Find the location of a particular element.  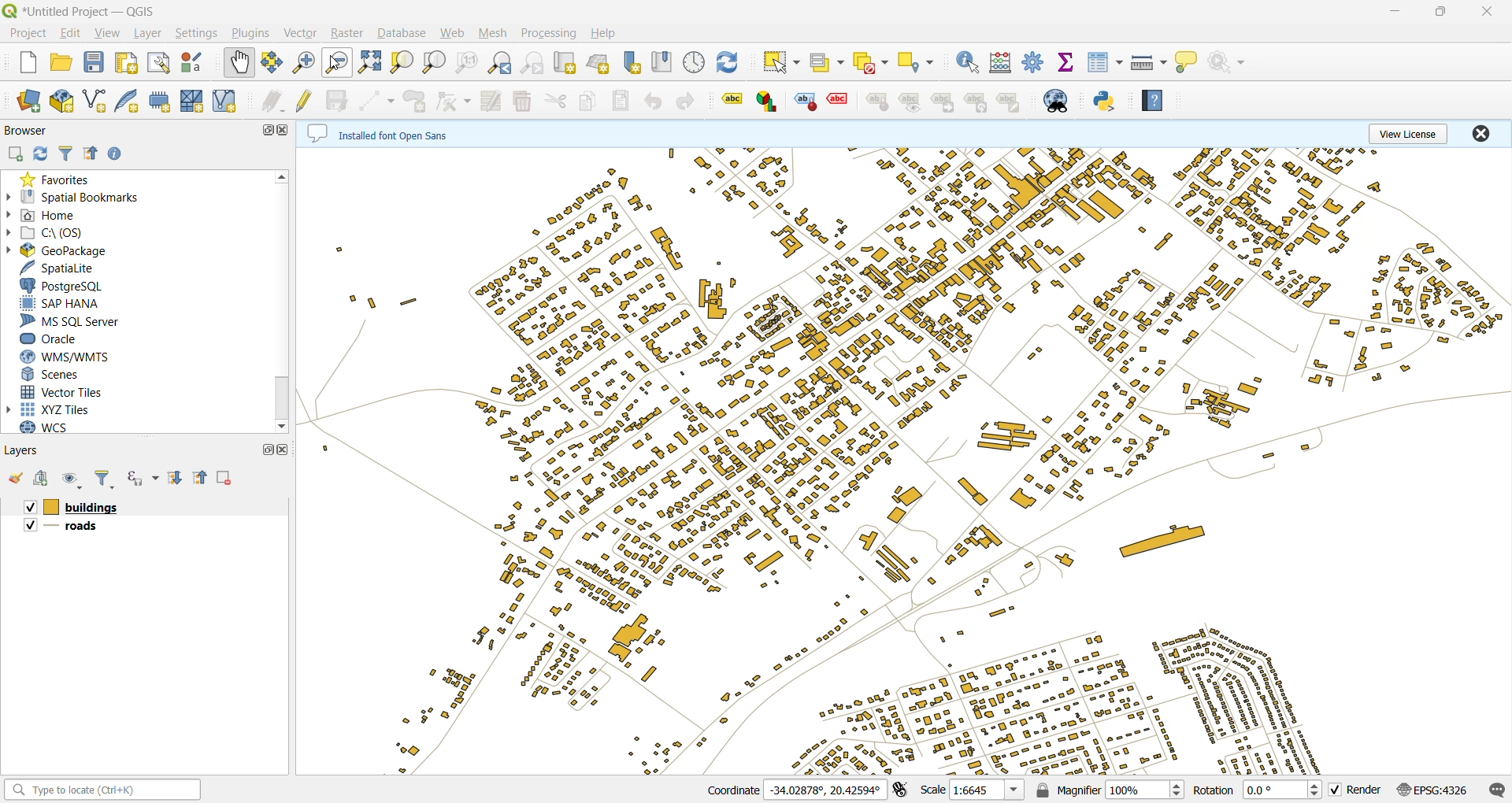

new is located at coordinates (26, 63).